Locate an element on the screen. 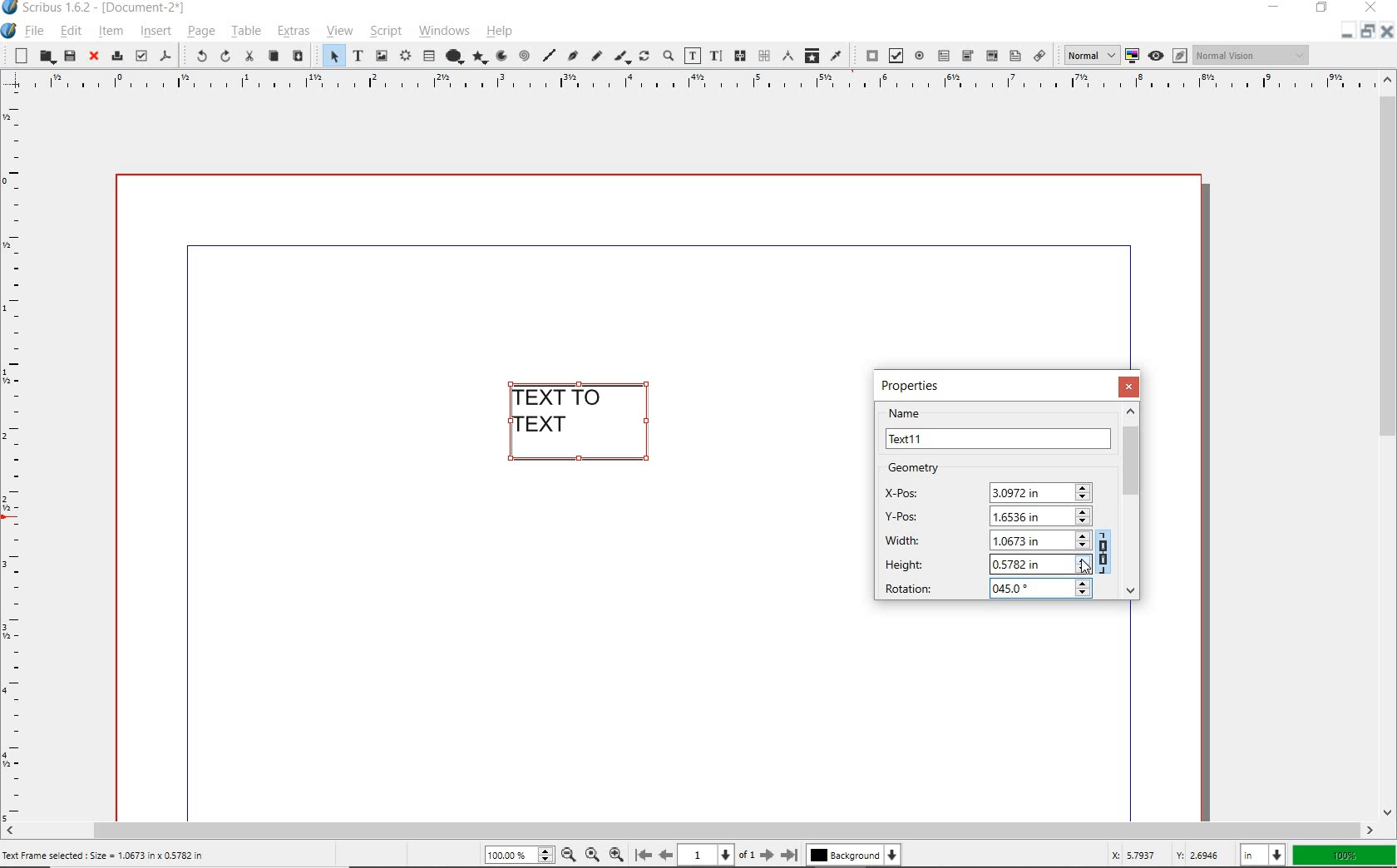 Image resolution: width=1397 pixels, height=868 pixels. extras is located at coordinates (294, 31).